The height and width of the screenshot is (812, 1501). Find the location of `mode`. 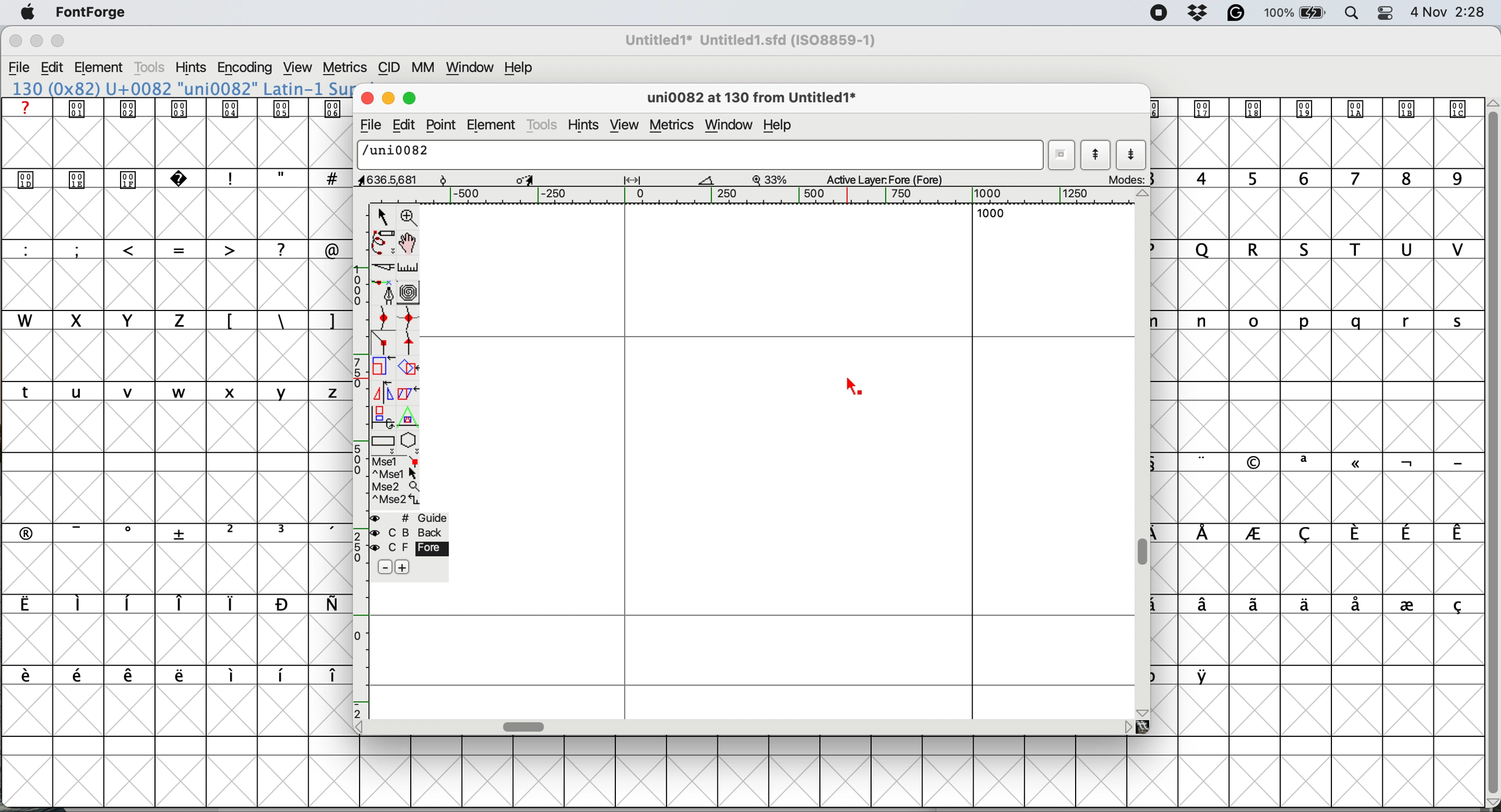

mode is located at coordinates (1124, 179).